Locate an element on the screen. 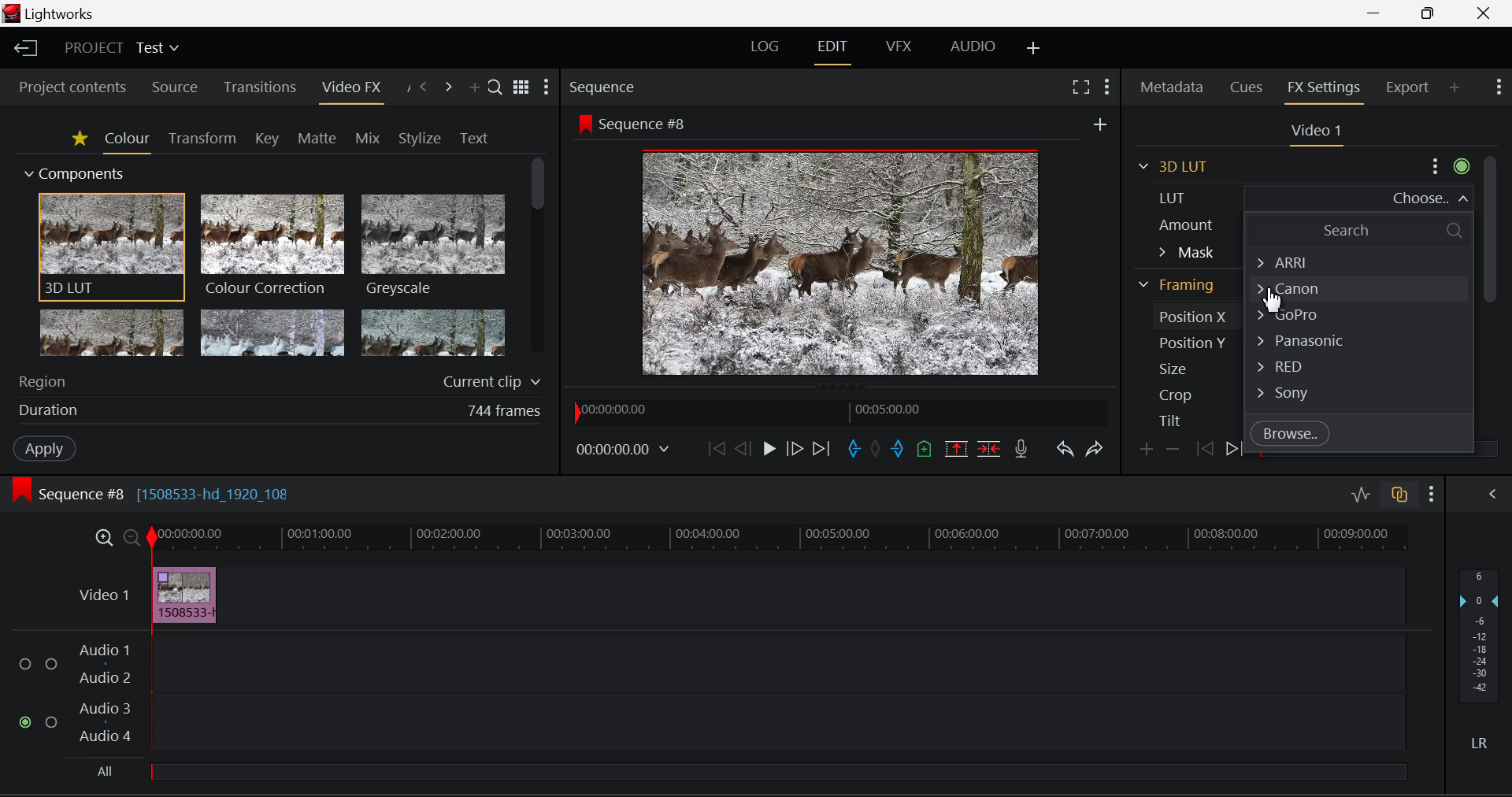 This screenshot has height=797, width=1512. Audio Track is located at coordinates (779, 661).